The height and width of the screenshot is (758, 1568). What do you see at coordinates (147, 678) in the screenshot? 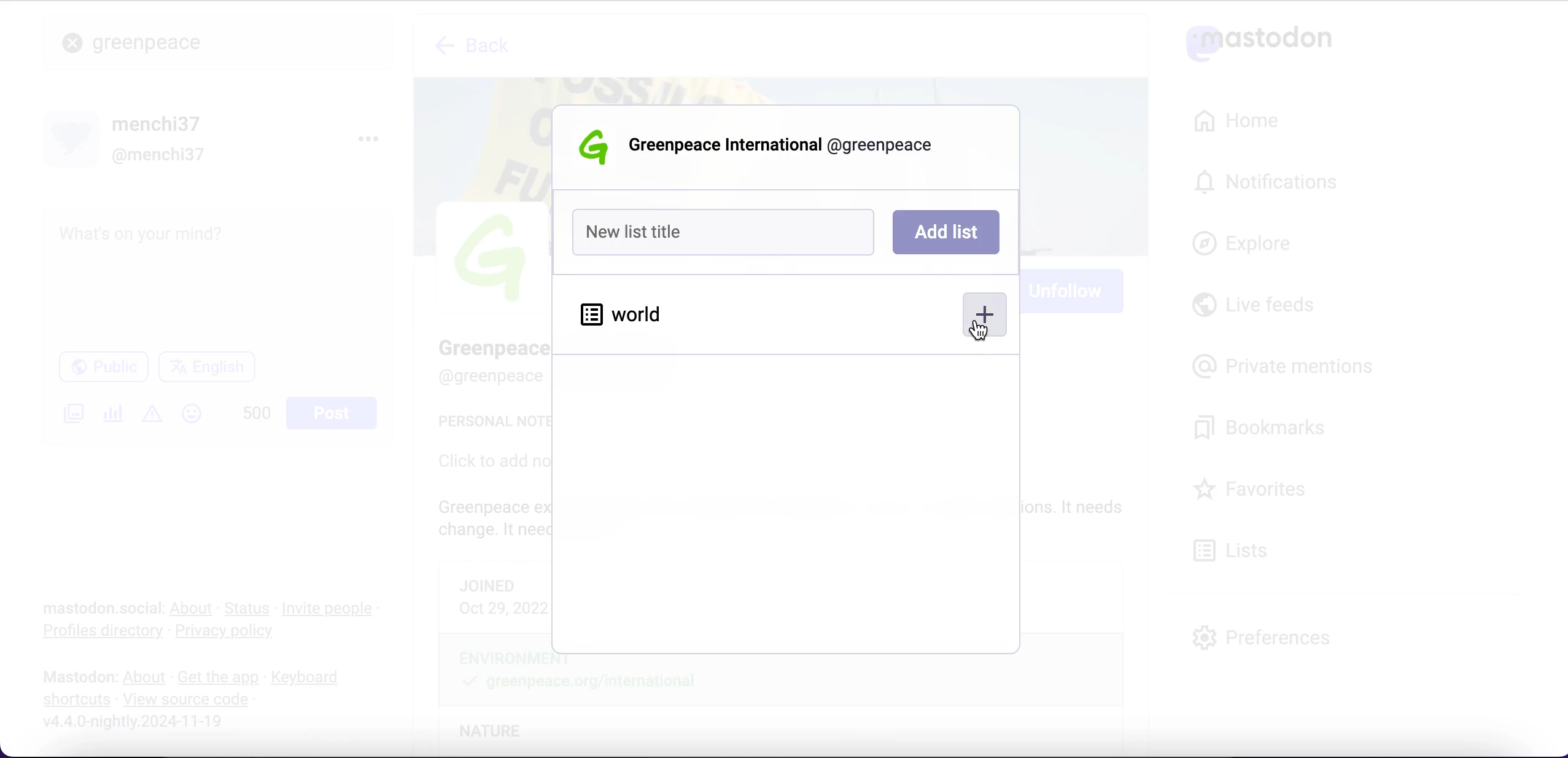
I see `about` at bounding box center [147, 678].